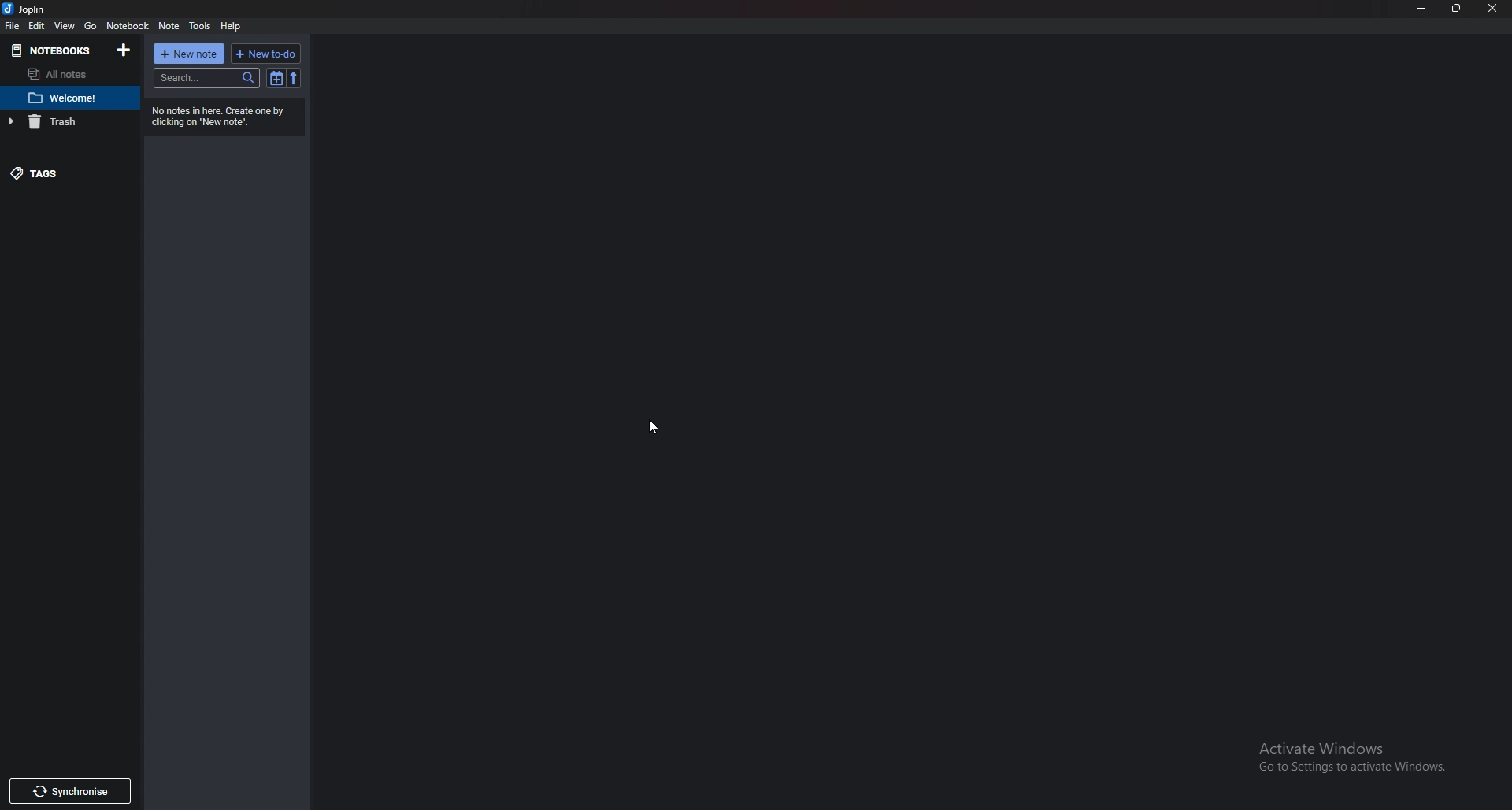  I want to click on go, so click(91, 24).